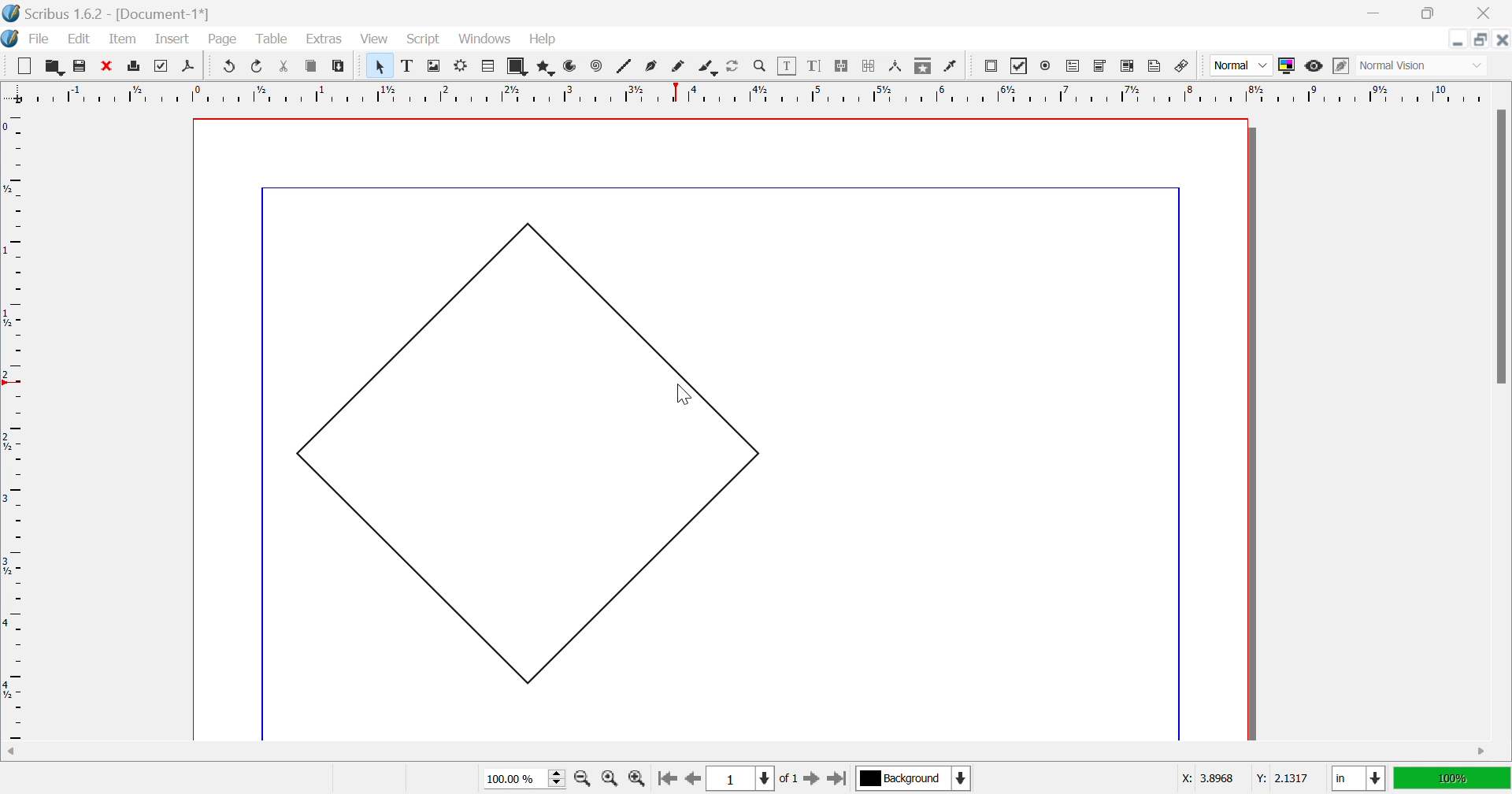 This screenshot has width=1512, height=794. I want to click on PDF List box, so click(1128, 65).